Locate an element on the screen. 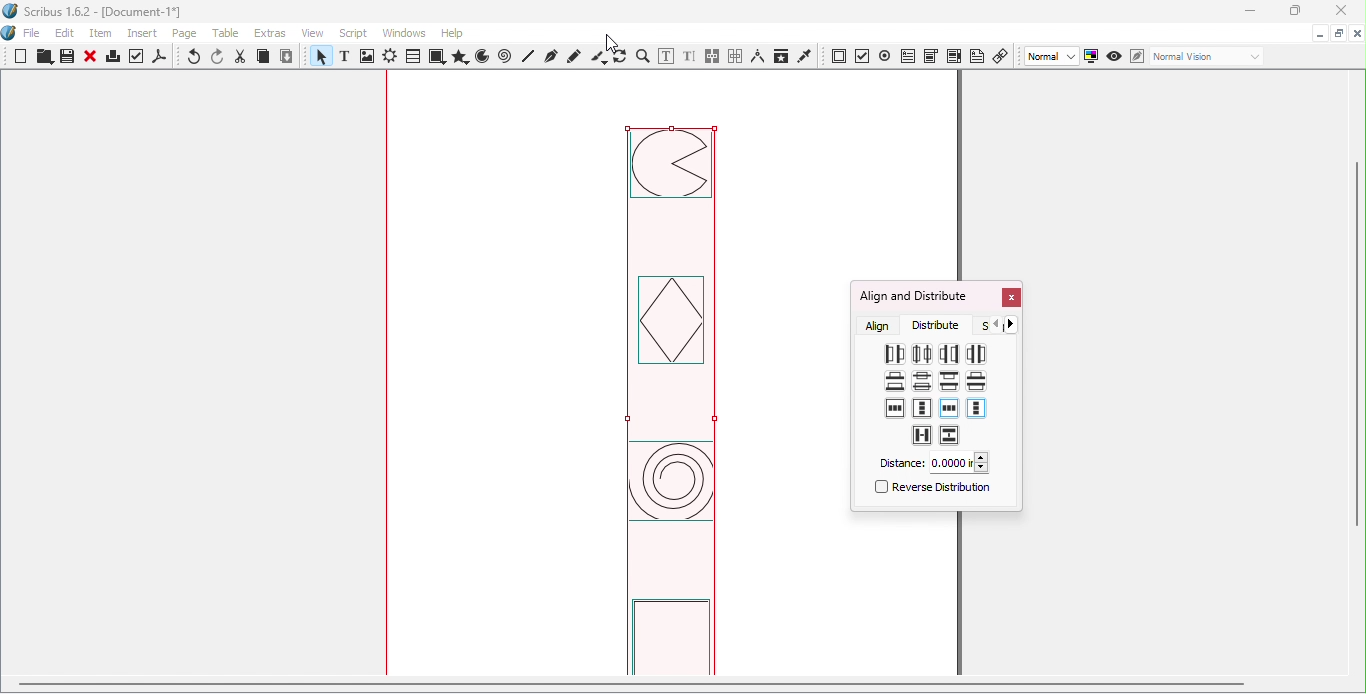  Spiral is located at coordinates (507, 57).